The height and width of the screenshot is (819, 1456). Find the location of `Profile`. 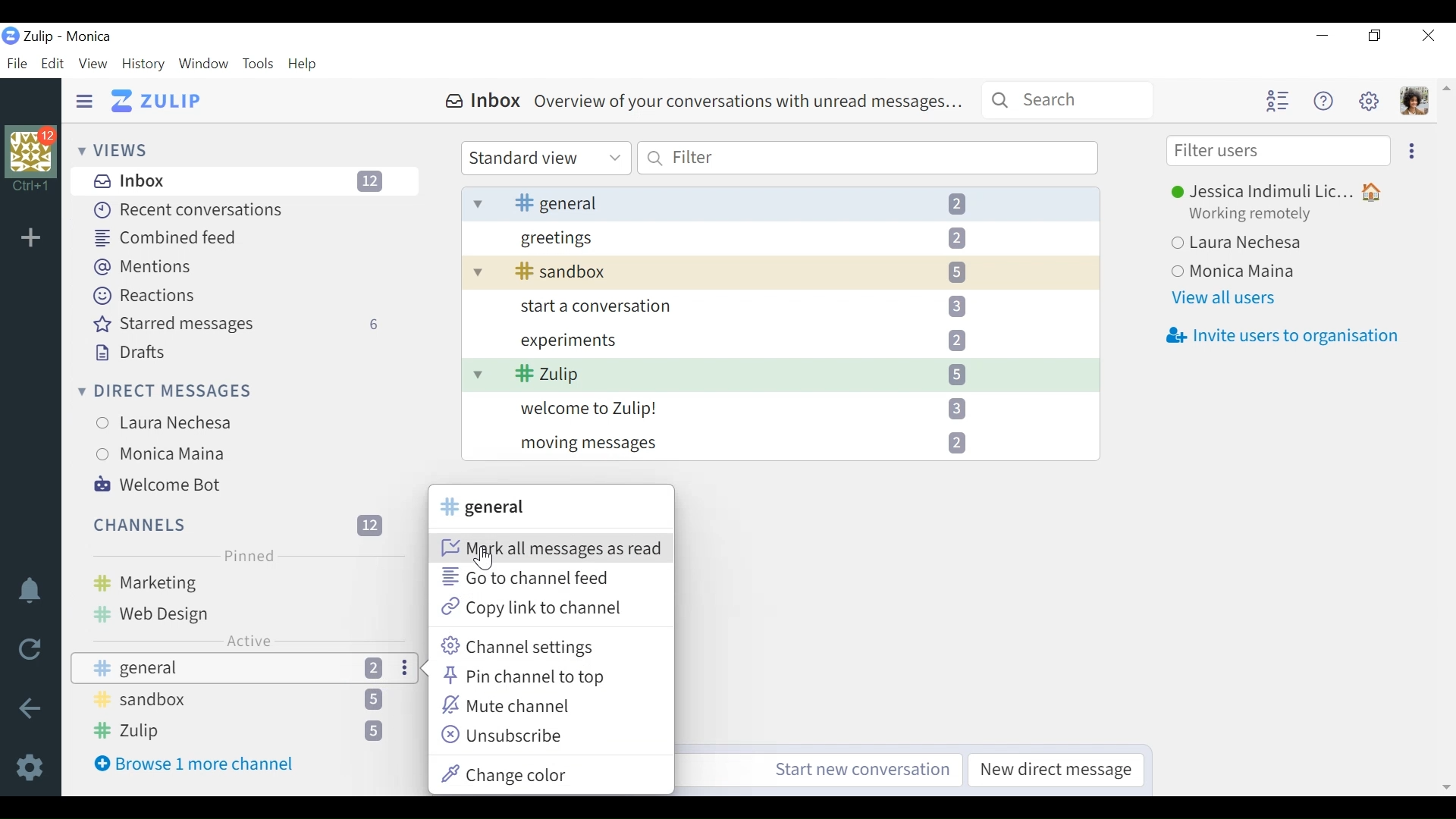

Profile is located at coordinates (1414, 101).